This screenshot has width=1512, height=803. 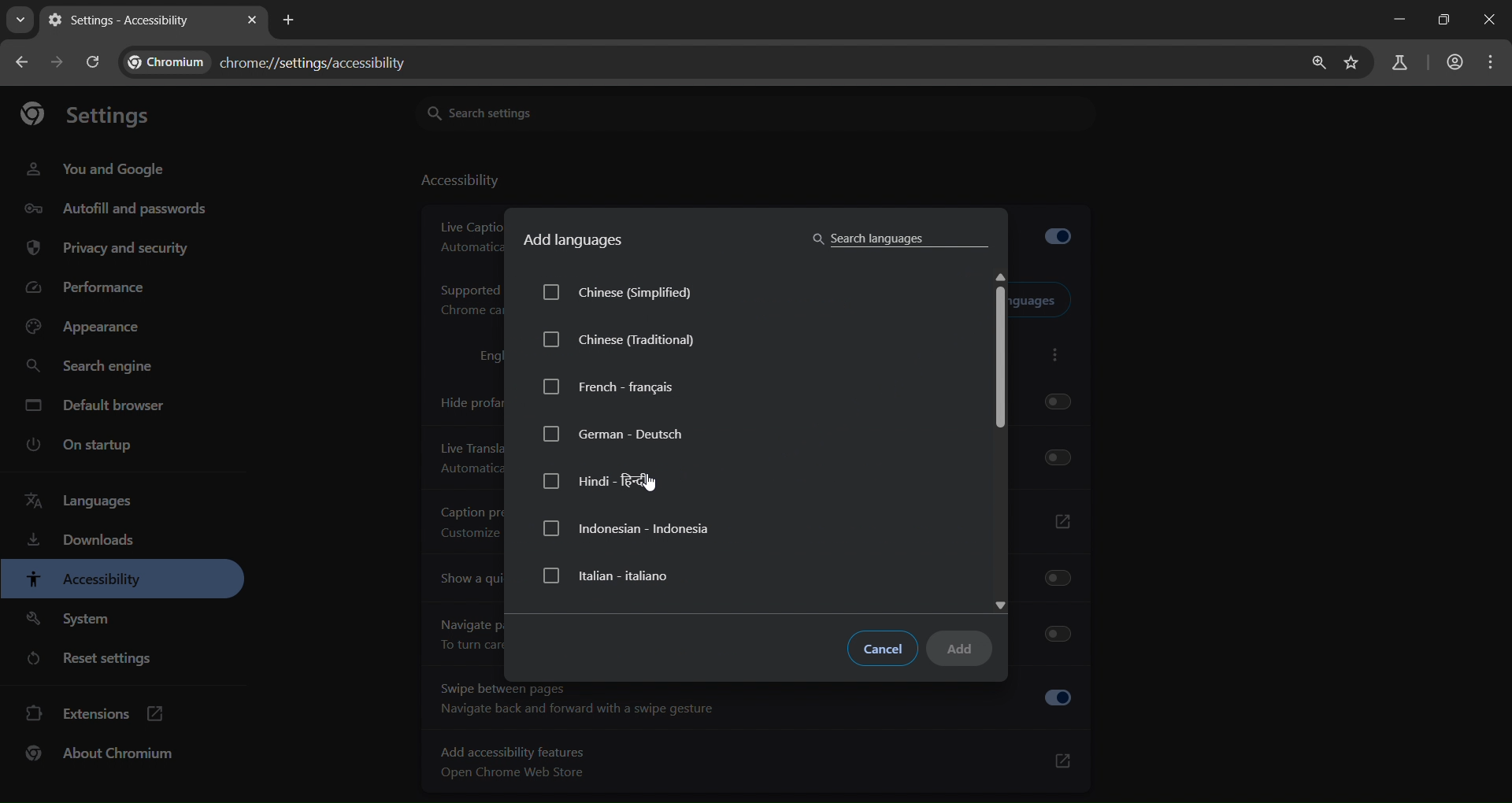 What do you see at coordinates (95, 115) in the screenshot?
I see `settings` at bounding box center [95, 115].